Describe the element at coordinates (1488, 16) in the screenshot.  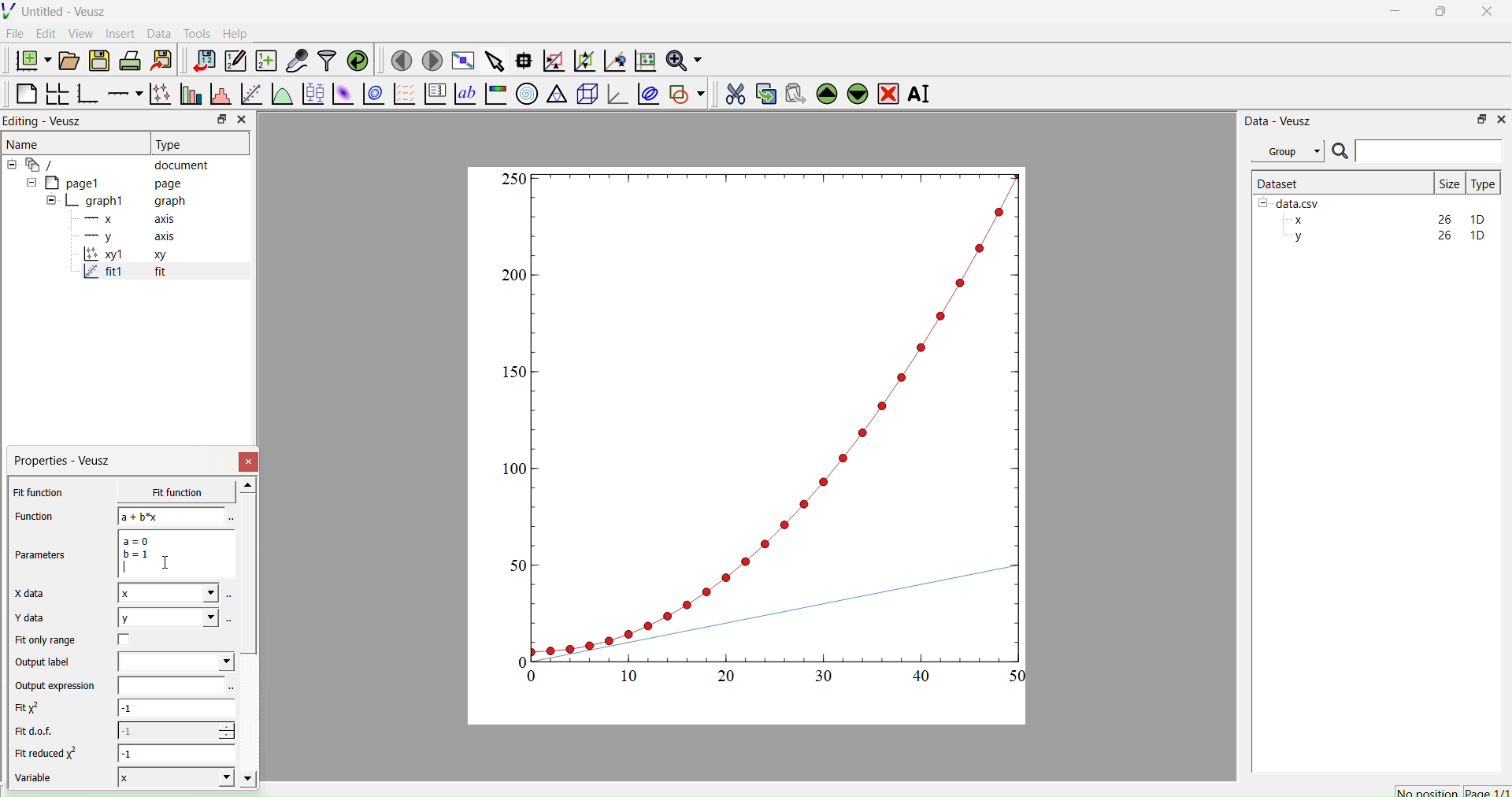
I see `Close` at that location.